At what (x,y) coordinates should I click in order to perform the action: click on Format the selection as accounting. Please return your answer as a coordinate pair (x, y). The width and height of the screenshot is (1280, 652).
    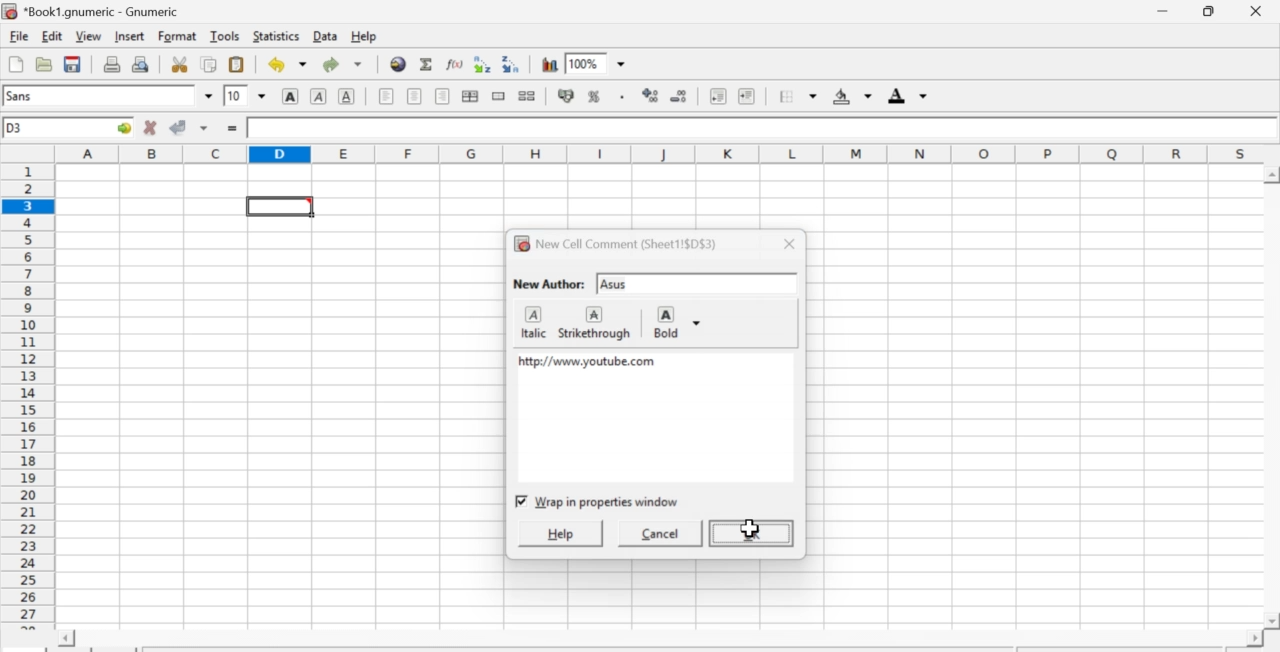
    Looking at the image, I should click on (566, 95).